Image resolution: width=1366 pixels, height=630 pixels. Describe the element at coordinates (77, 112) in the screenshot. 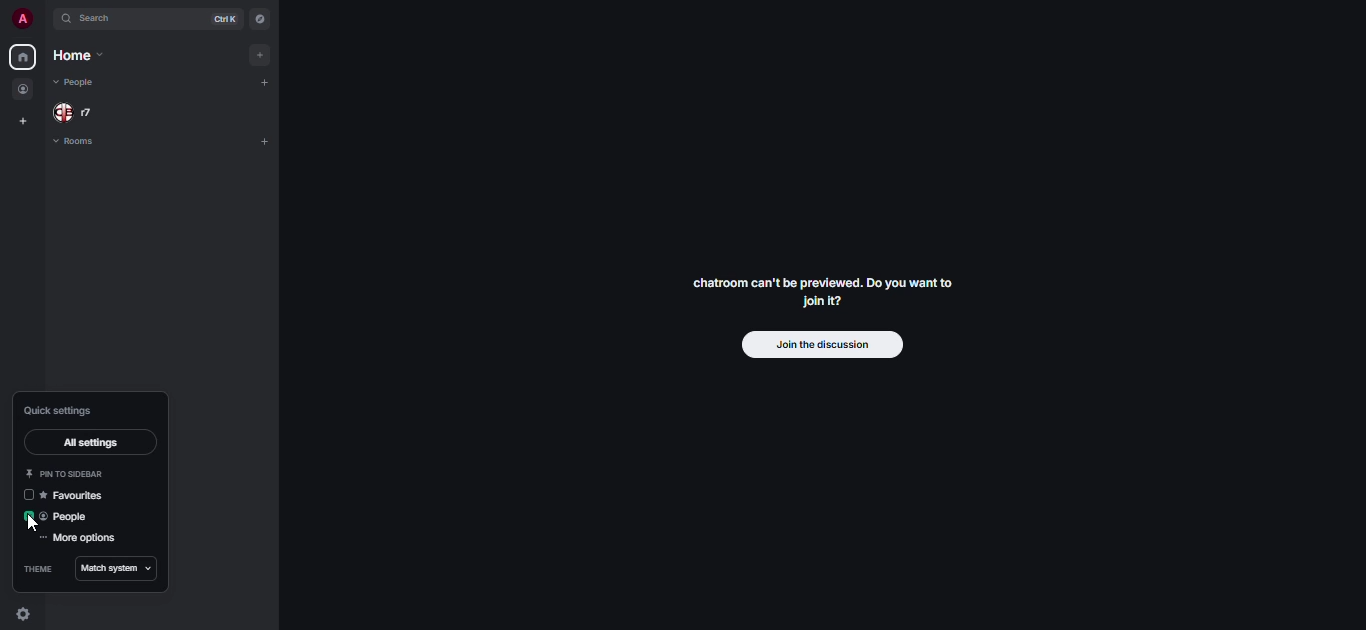

I see `people` at that location.